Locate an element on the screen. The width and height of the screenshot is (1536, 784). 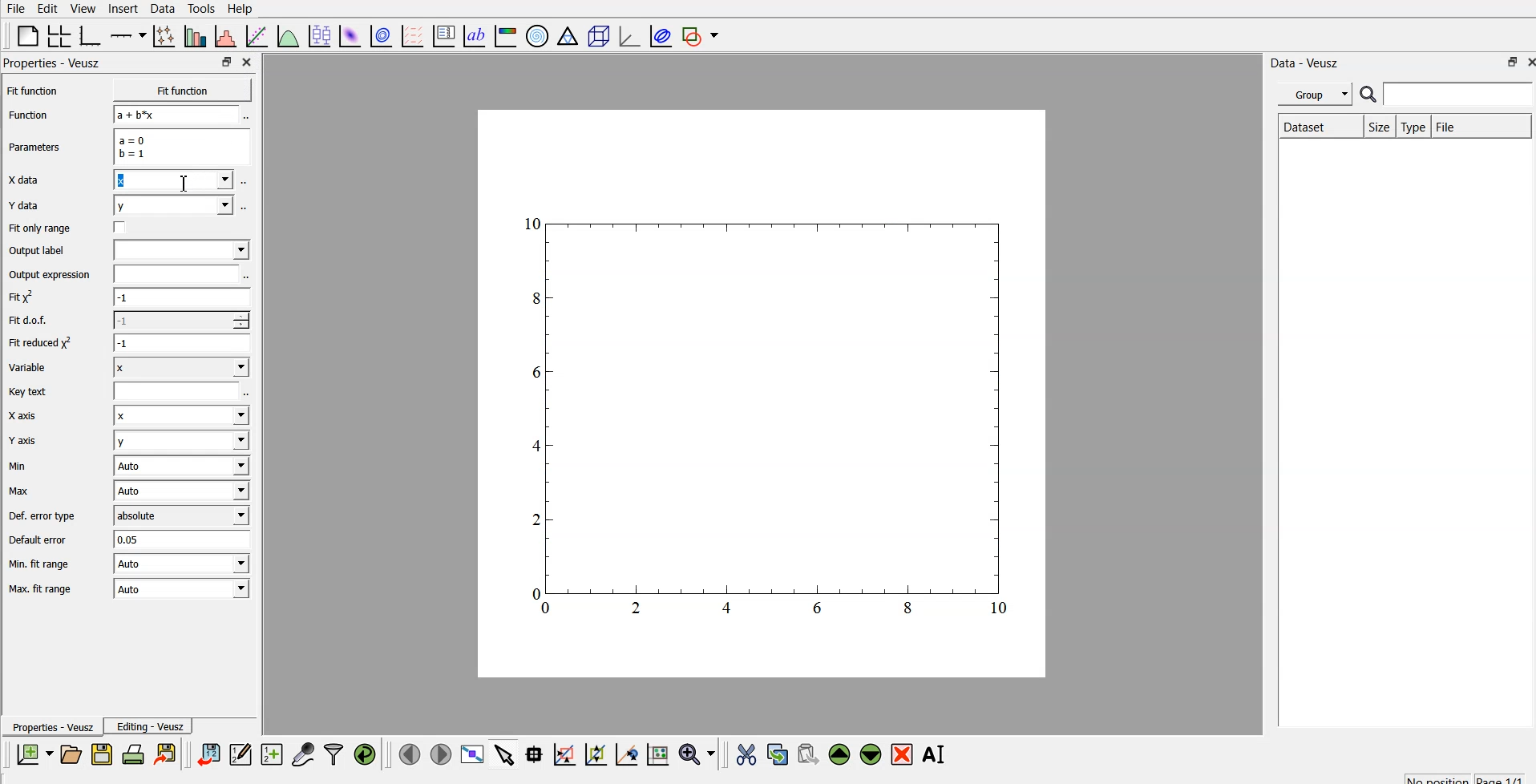
import data into veusz is located at coordinates (209, 755).